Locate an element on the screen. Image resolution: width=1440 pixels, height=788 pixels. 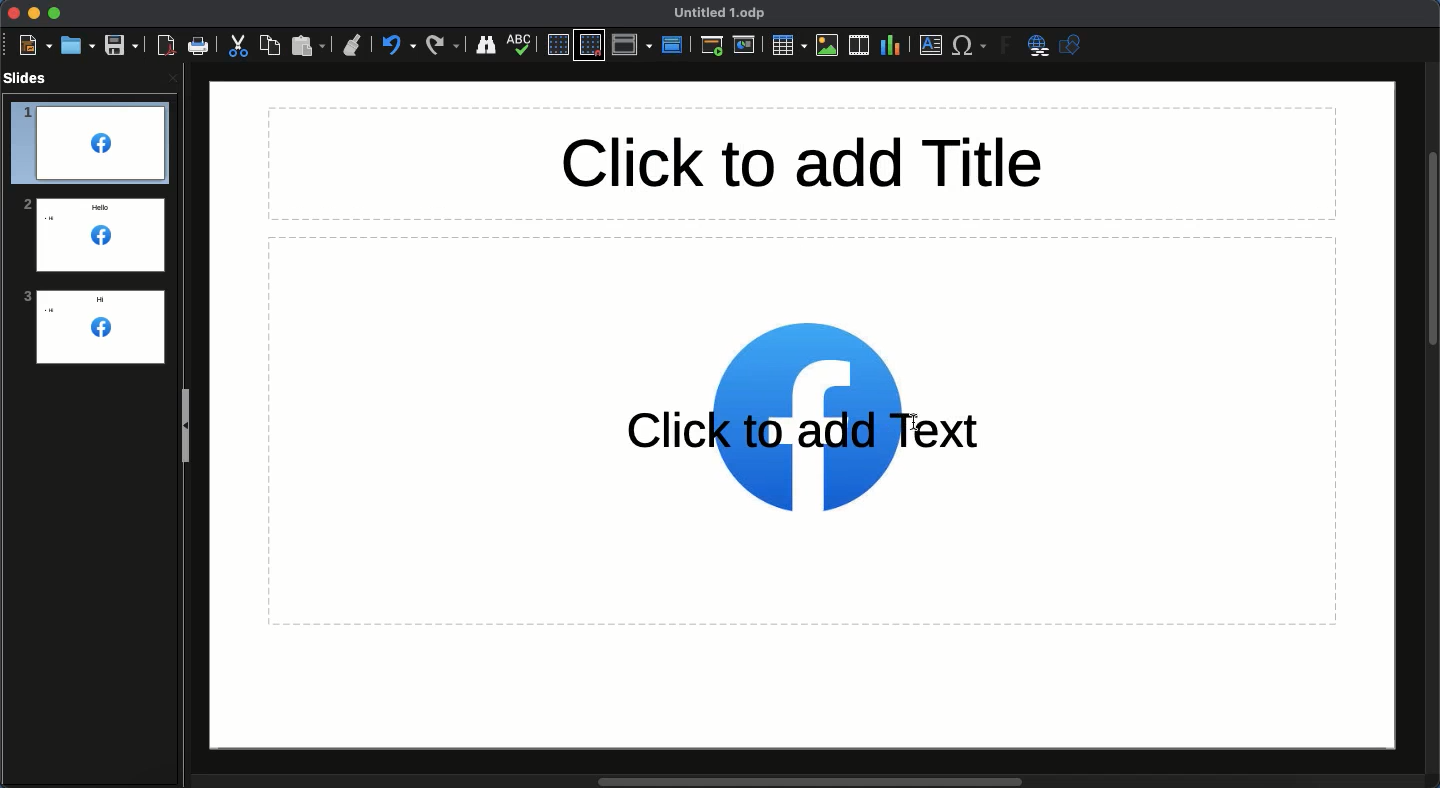
Hyperlink is located at coordinates (1038, 46).